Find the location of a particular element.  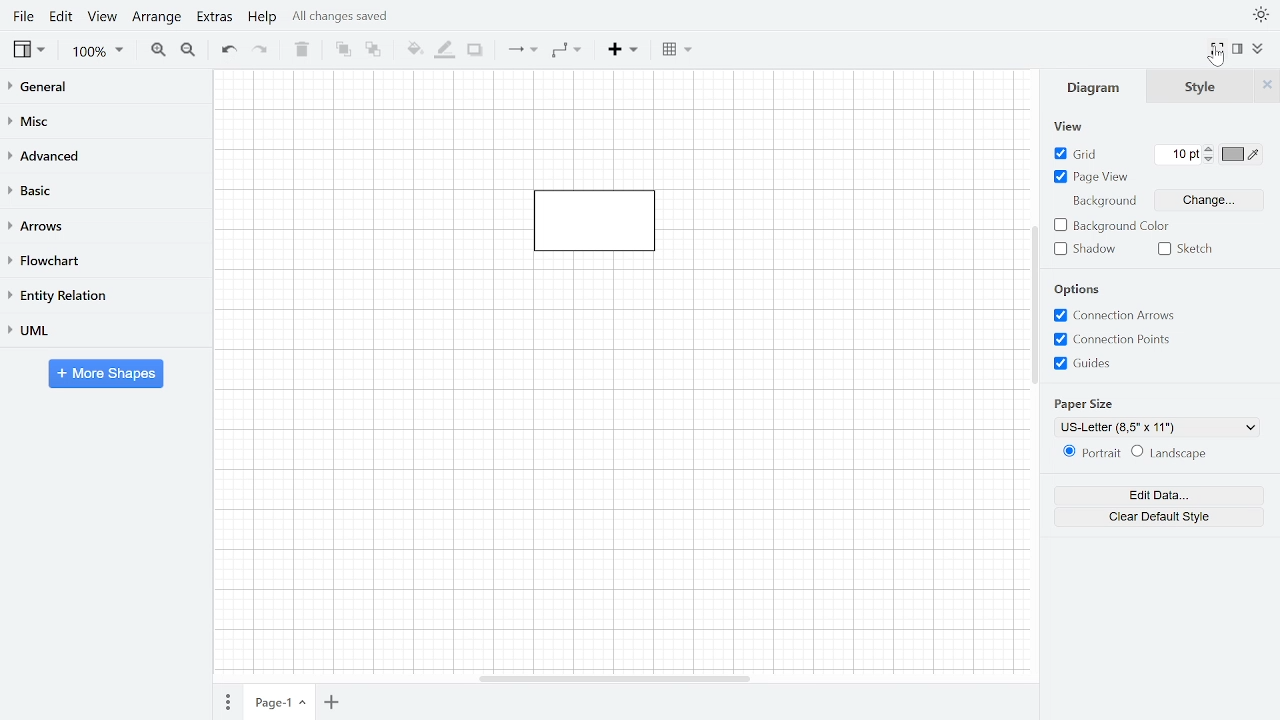

Cursor is located at coordinates (1216, 59).